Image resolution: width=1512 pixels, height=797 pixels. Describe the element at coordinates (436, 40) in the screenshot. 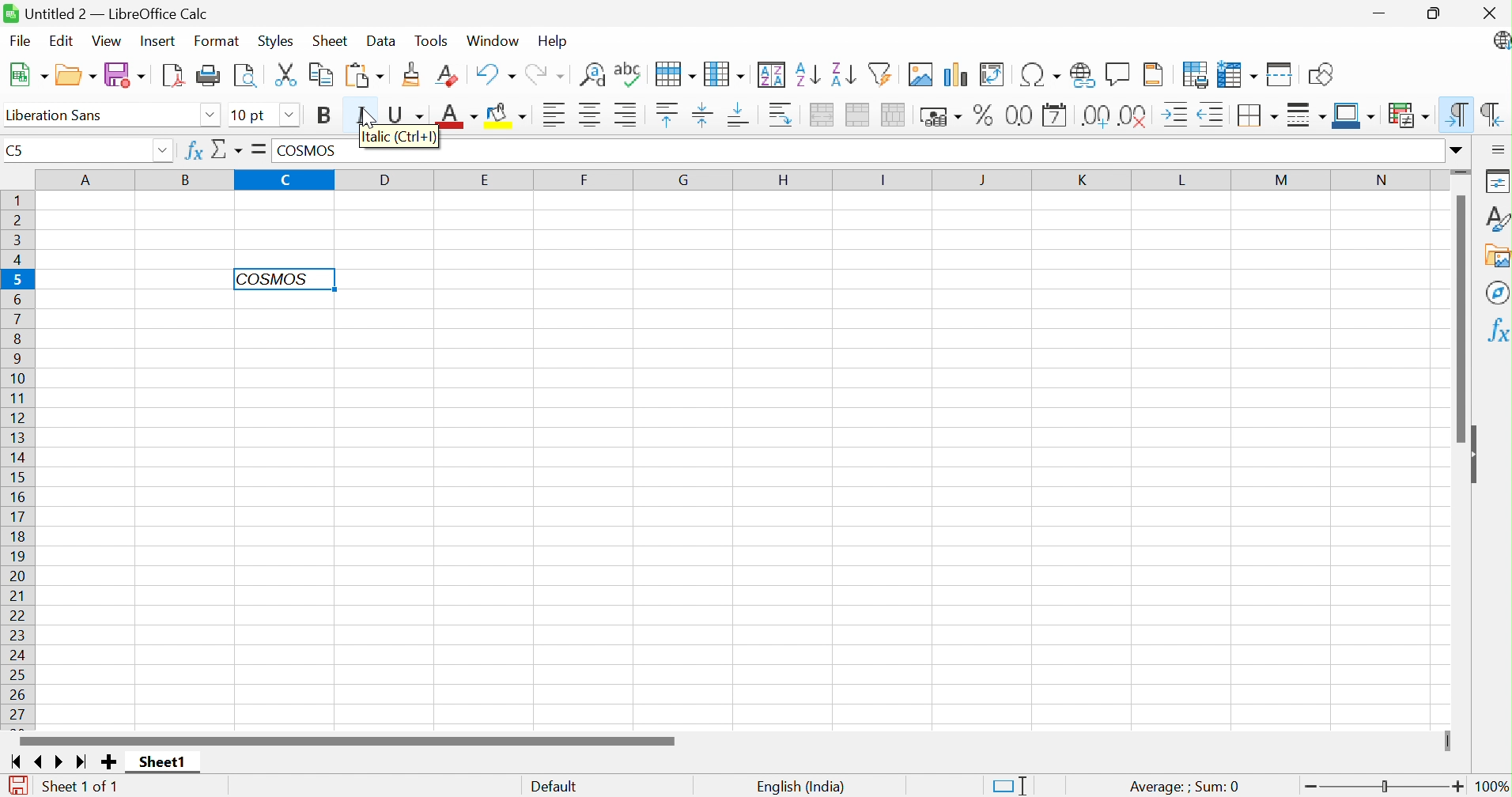

I see `Tools` at that location.